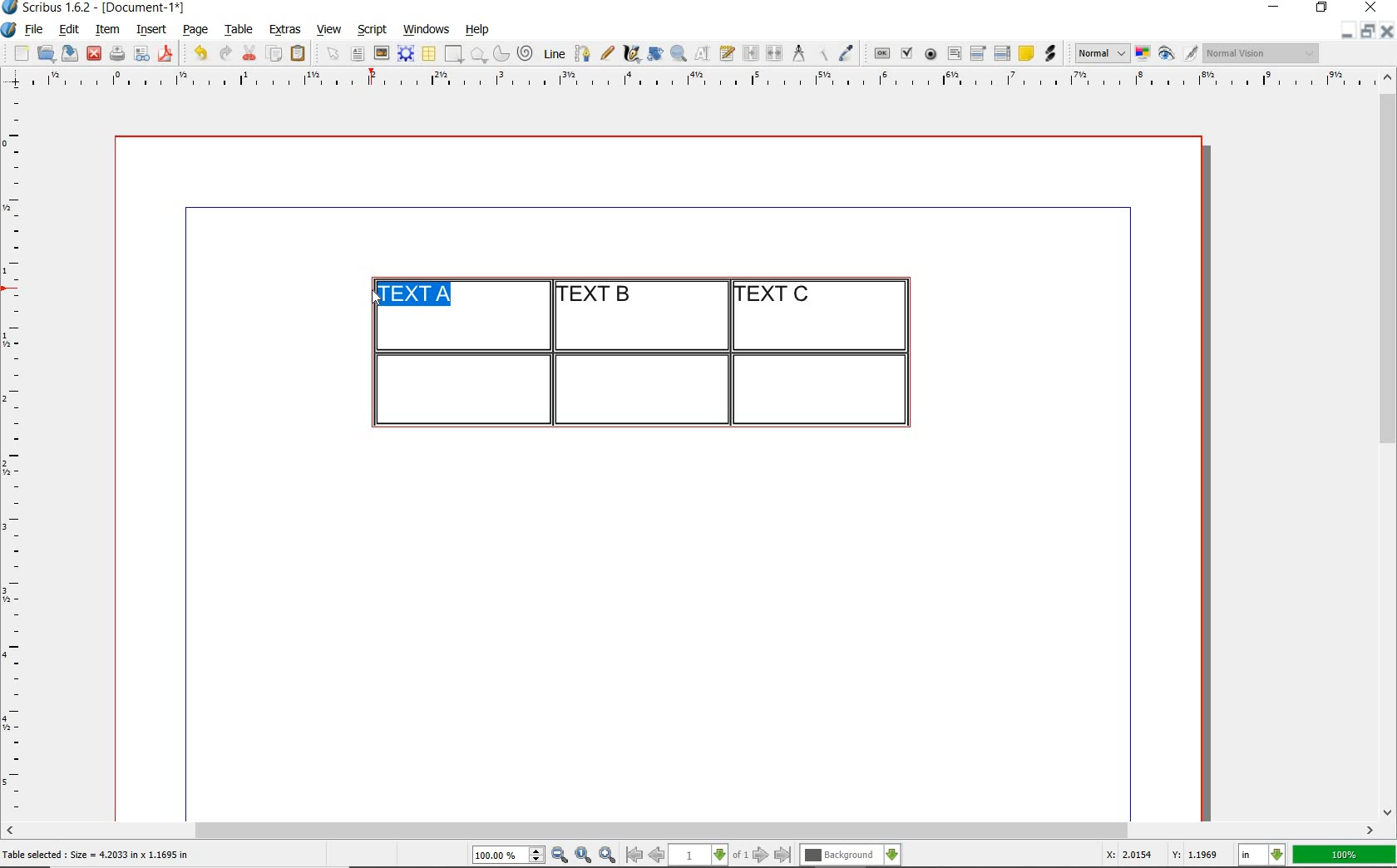 The height and width of the screenshot is (868, 1397). What do you see at coordinates (478, 54) in the screenshot?
I see `polygon` at bounding box center [478, 54].